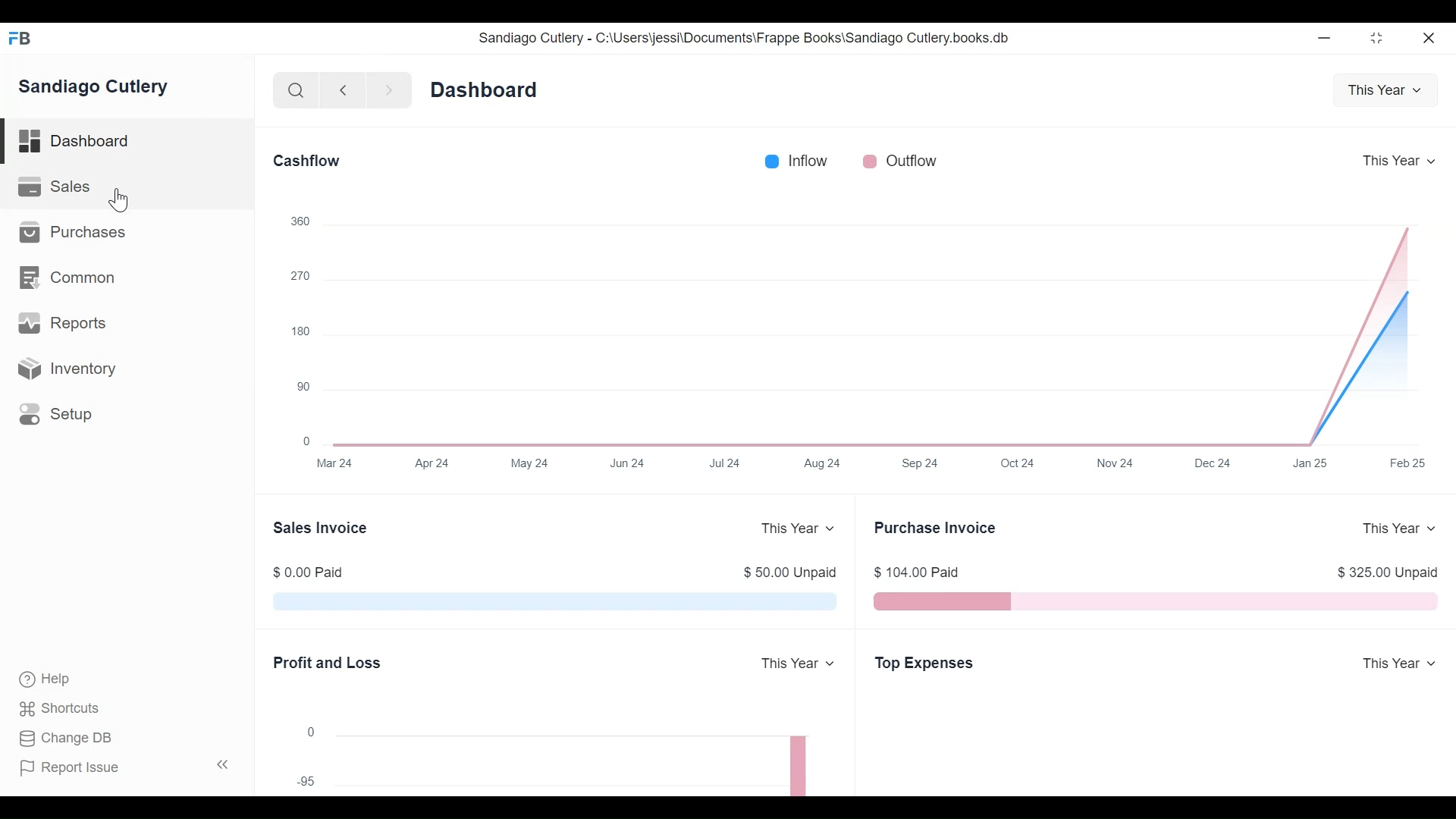 The height and width of the screenshot is (819, 1456). I want to click on This Year, so click(799, 664).